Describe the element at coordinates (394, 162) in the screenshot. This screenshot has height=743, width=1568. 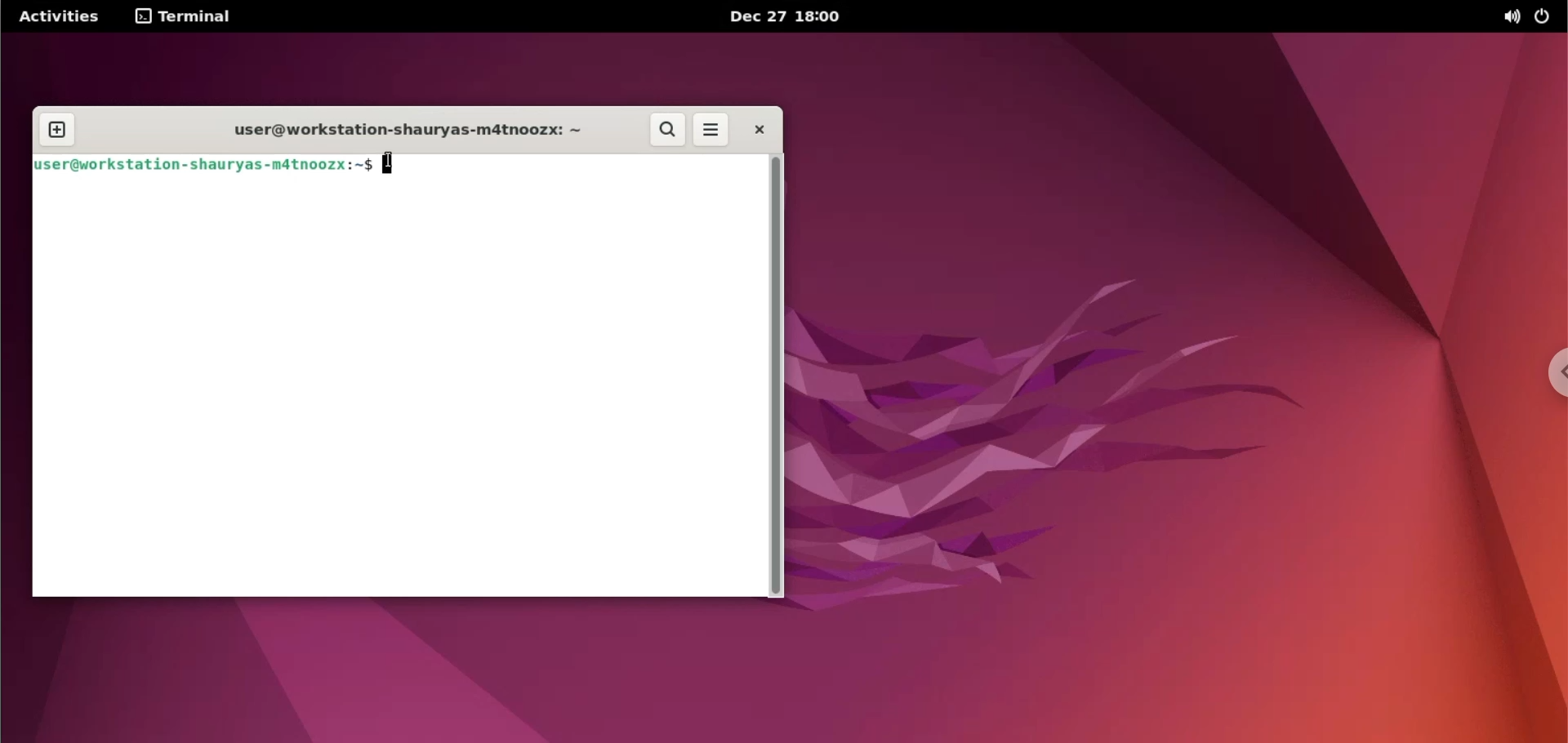
I see `cursor` at that location.